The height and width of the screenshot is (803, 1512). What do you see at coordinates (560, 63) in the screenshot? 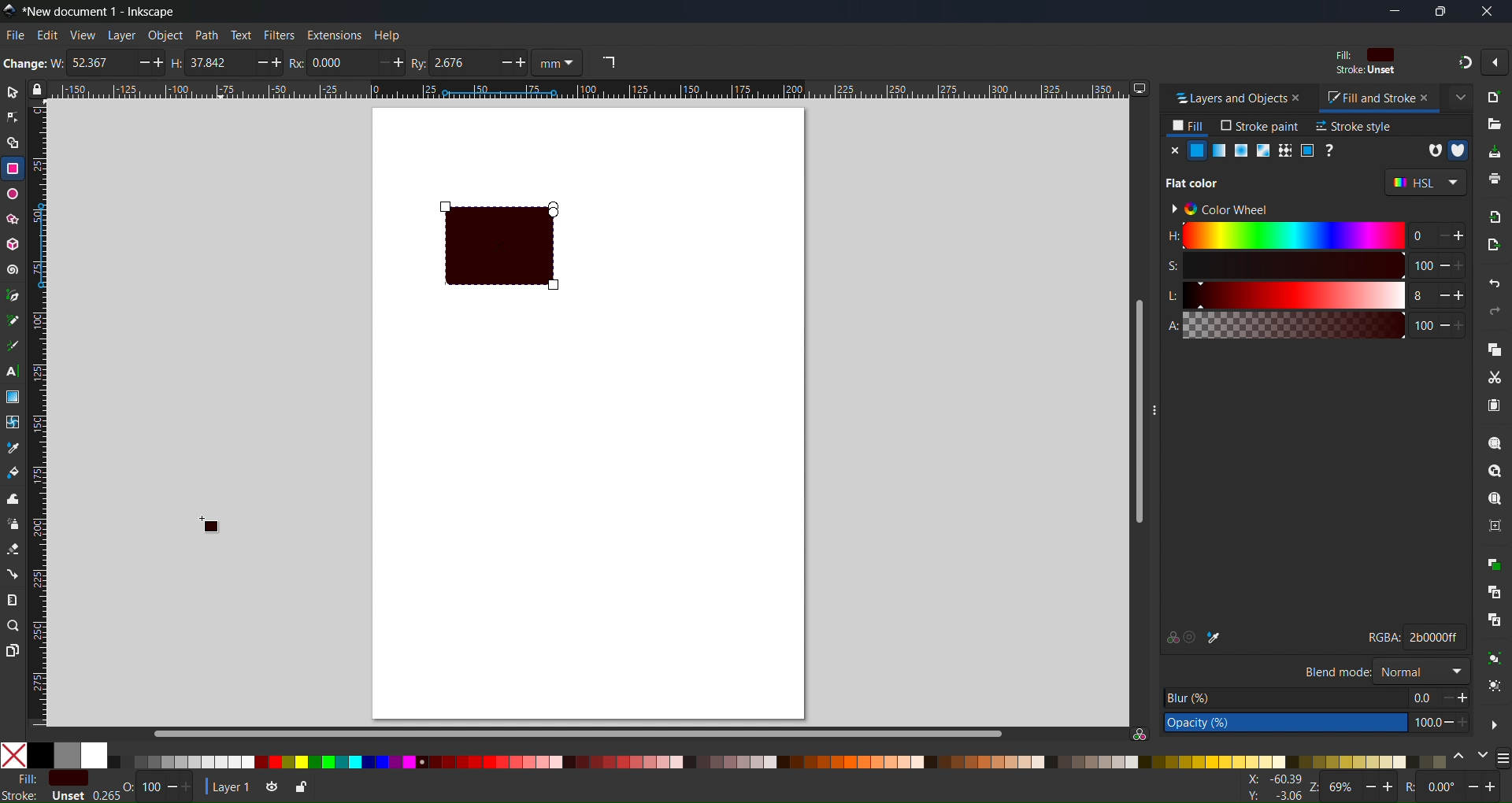
I see `mm ` at bounding box center [560, 63].